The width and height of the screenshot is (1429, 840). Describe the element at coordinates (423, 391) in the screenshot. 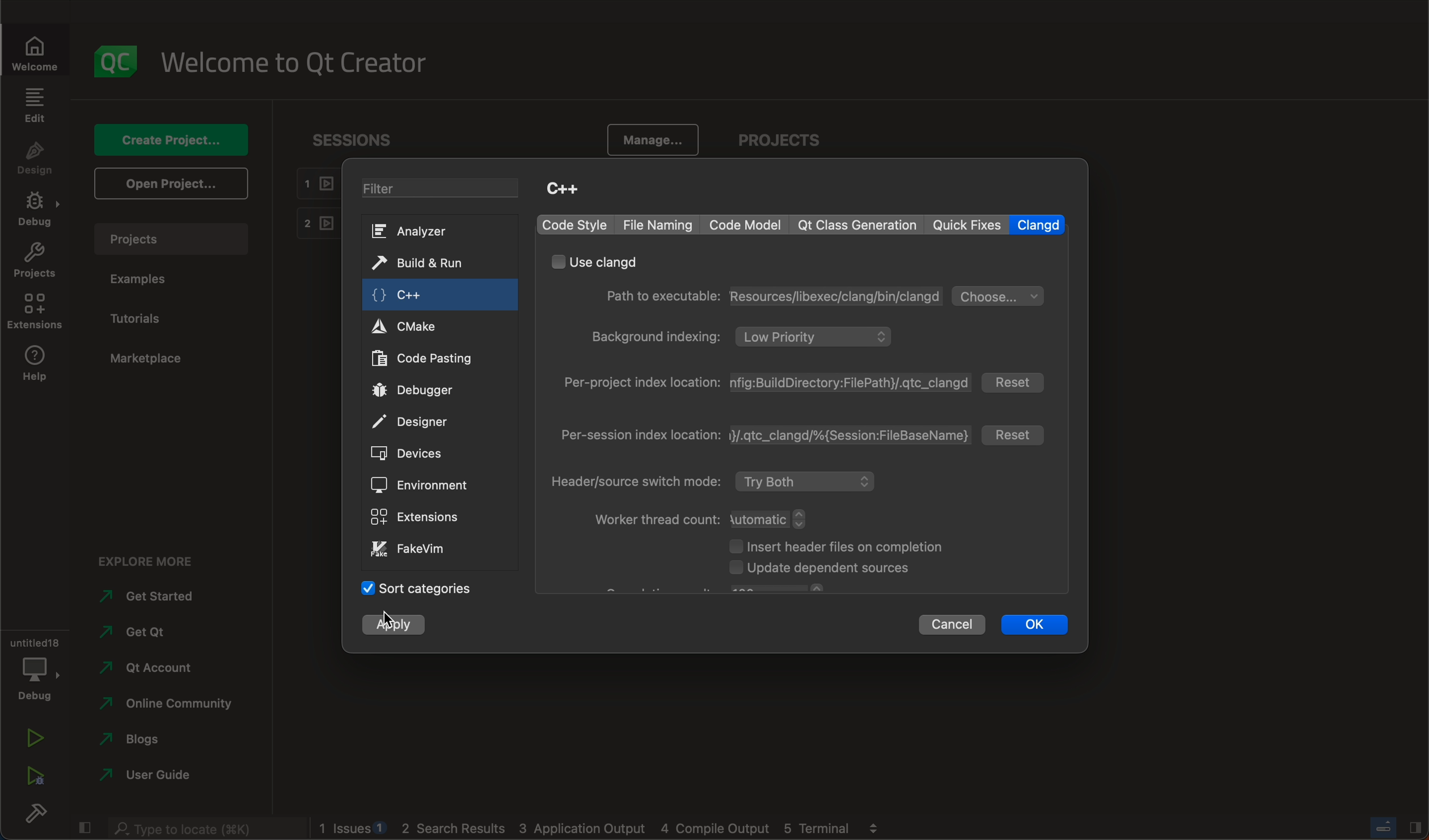

I see `extentions` at that location.